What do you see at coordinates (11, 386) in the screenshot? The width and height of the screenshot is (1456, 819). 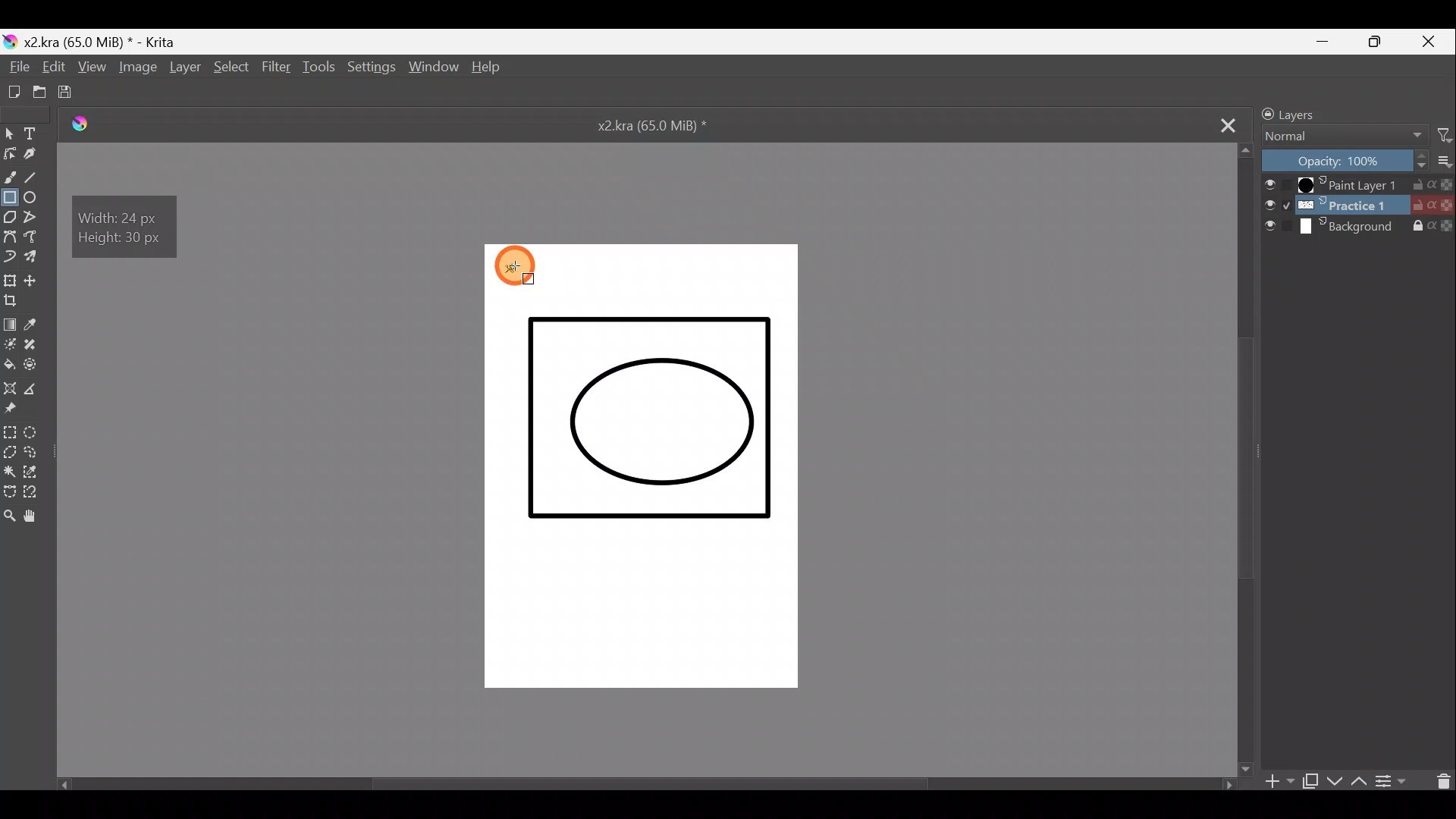 I see `Assistant tool` at bounding box center [11, 386].